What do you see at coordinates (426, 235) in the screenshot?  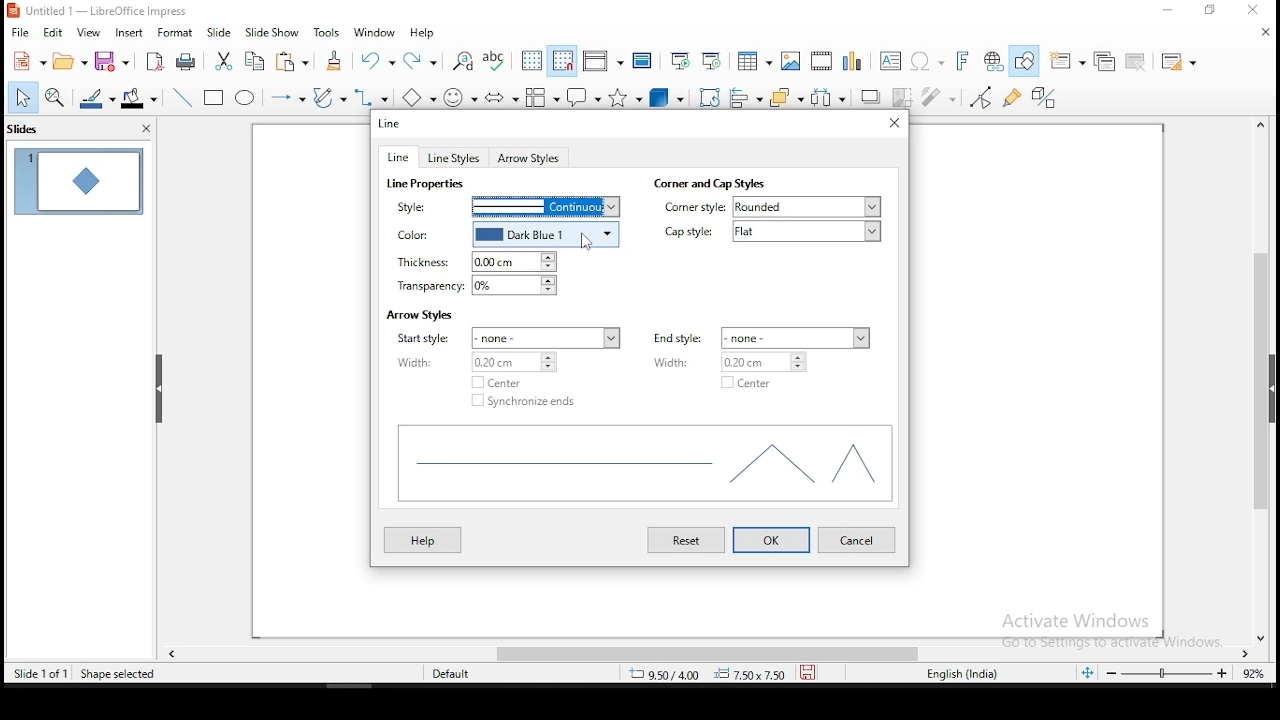 I see `color` at bounding box center [426, 235].